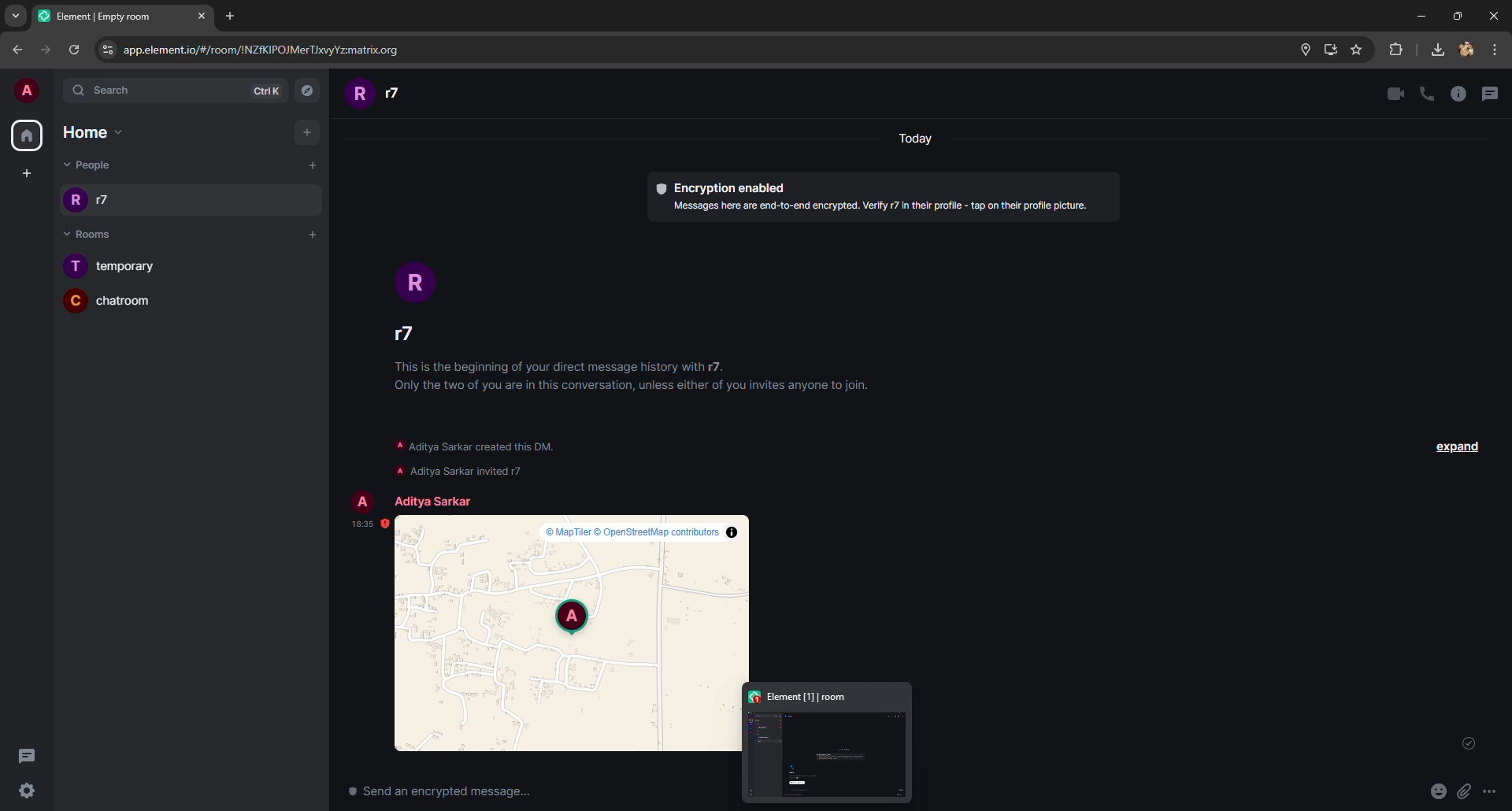 The image size is (1512, 811). What do you see at coordinates (96, 132) in the screenshot?
I see `home` at bounding box center [96, 132].